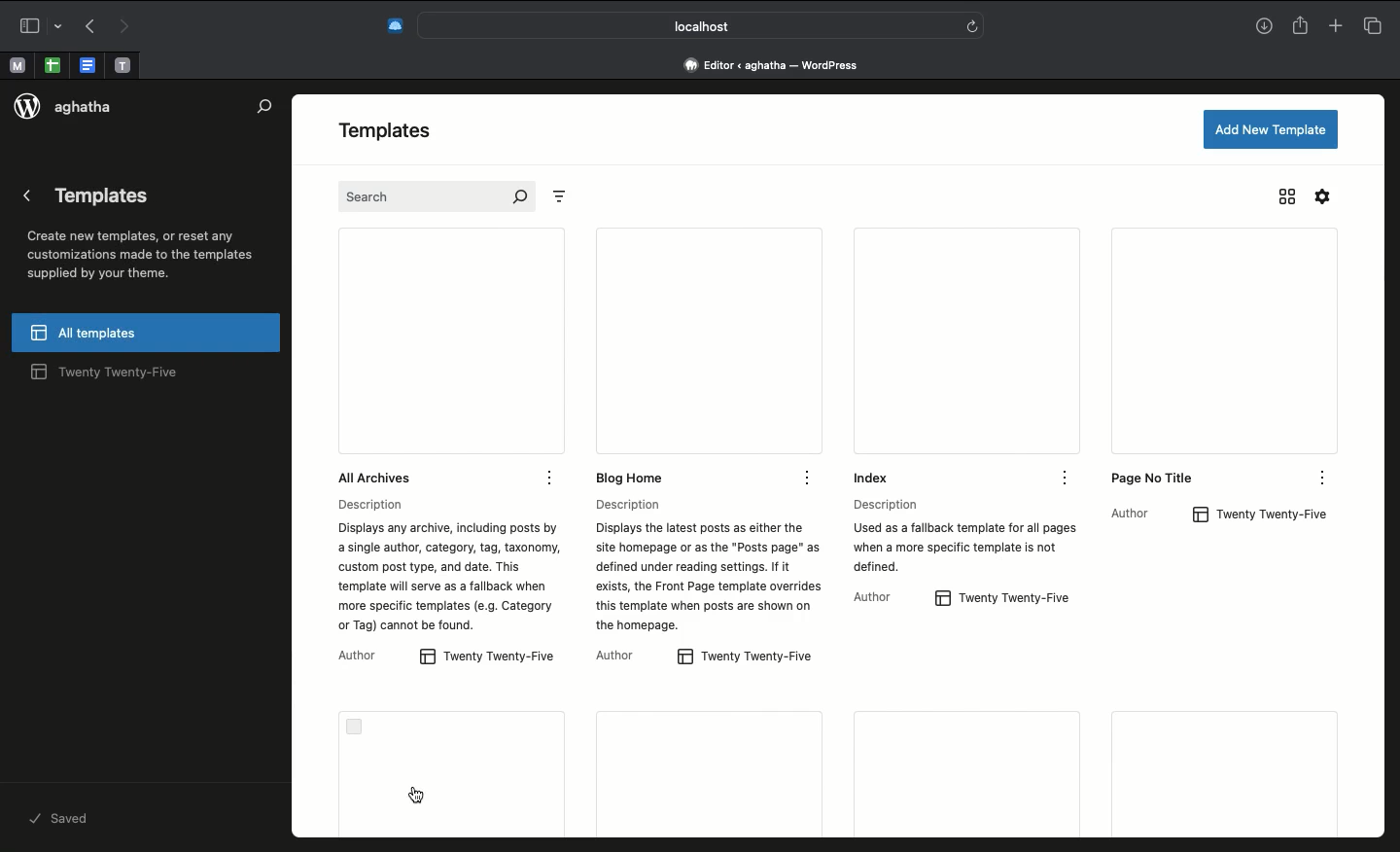 The image size is (1400, 852). I want to click on Search, so click(261, 107).